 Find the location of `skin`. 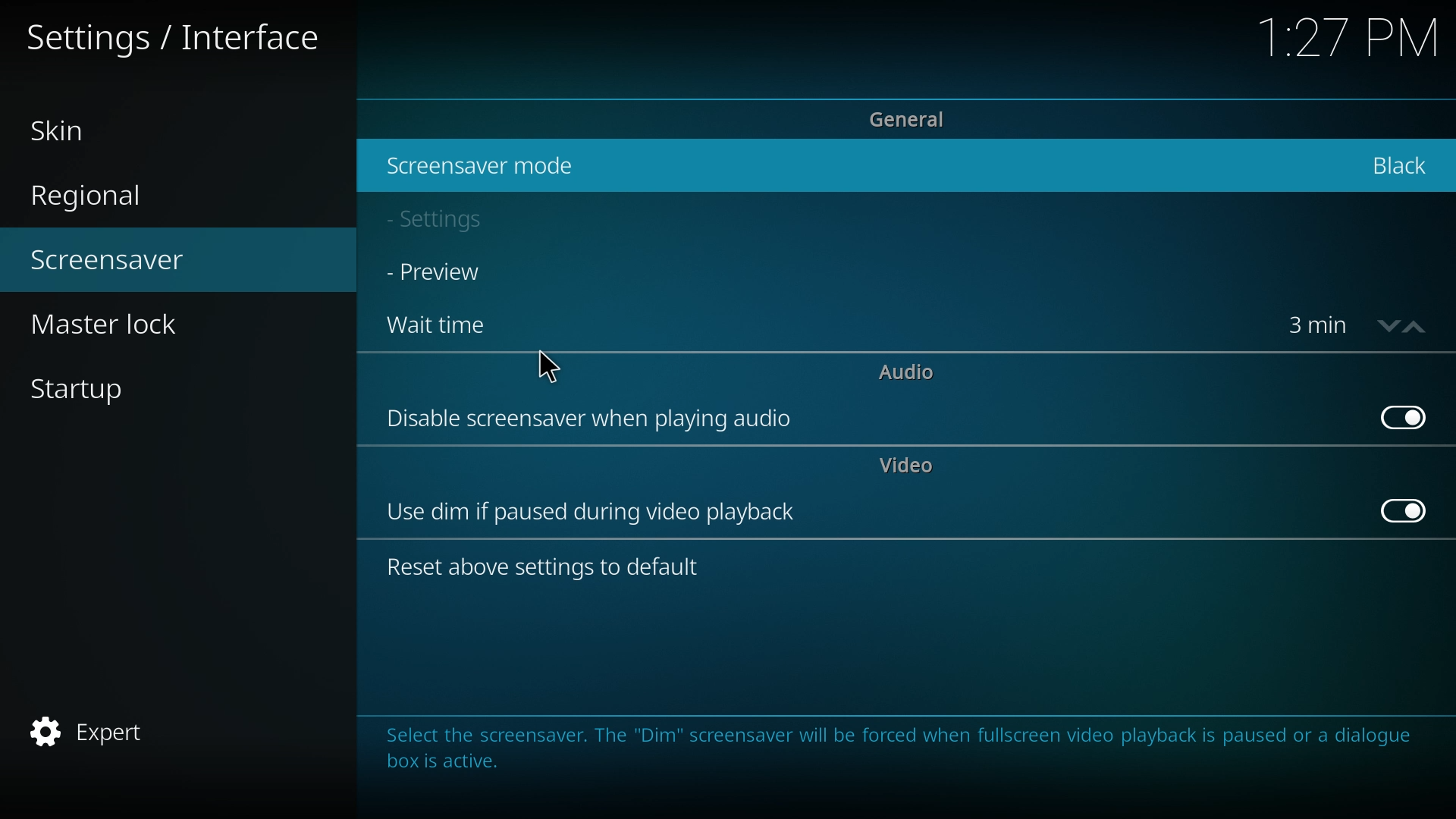

skin is located at coordinates (116, 128).